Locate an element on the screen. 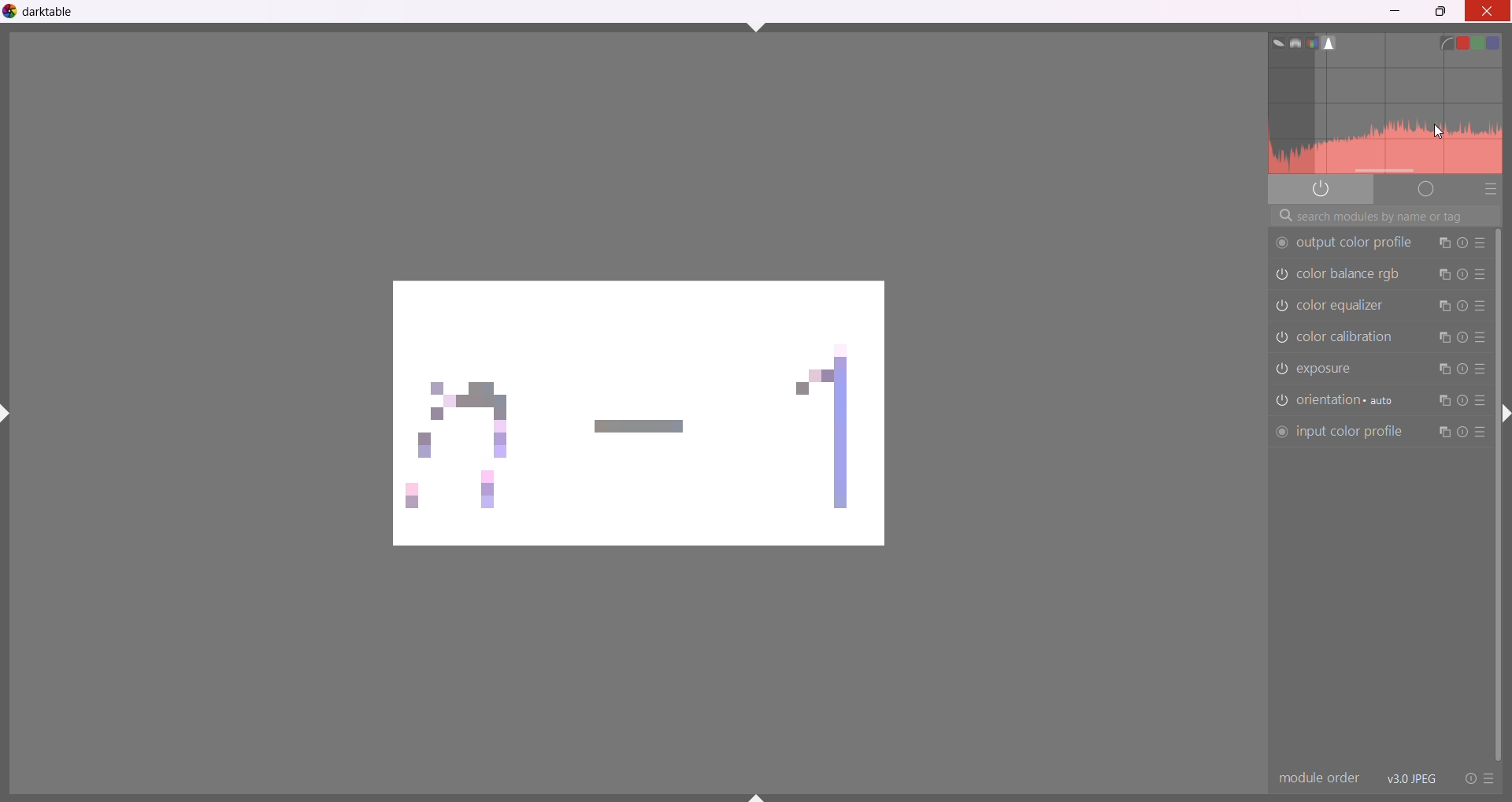 This screenshot has width=1512, height=802. rgb is located at coordinates (1312, 43).